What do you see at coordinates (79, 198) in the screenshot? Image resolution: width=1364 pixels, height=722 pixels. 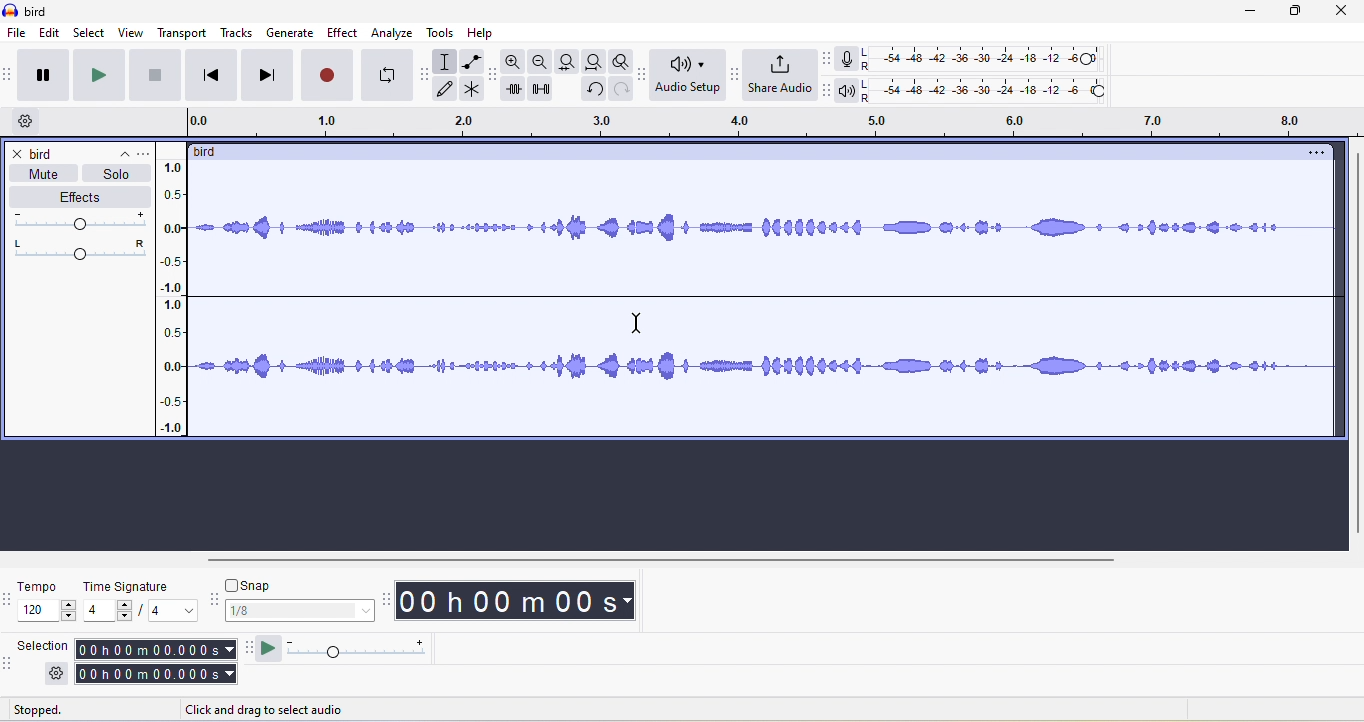 I see `effects` at bounding box center [79, 198].